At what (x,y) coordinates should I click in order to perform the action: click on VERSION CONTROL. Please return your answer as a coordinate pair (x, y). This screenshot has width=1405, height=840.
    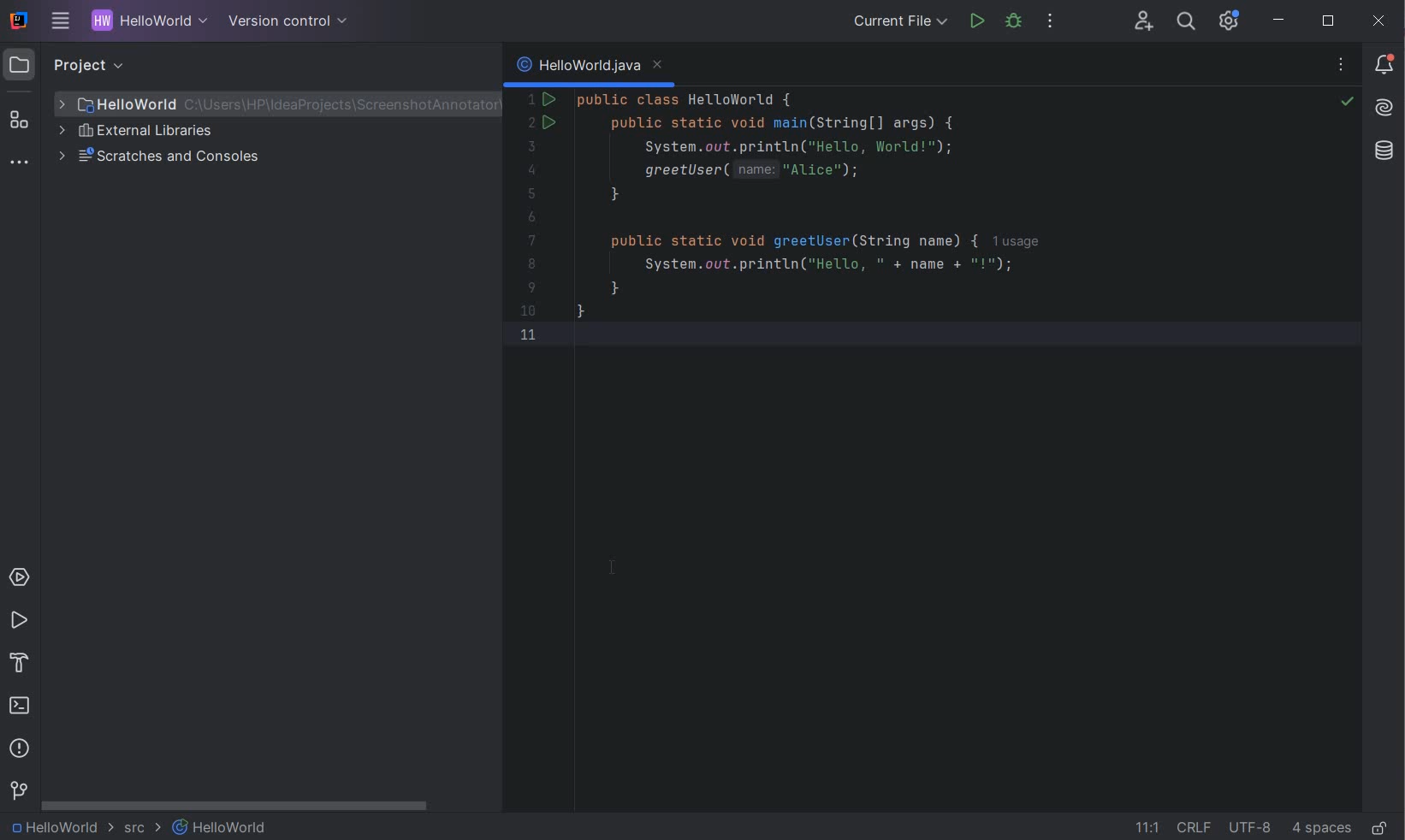
    Looking at the image, I should click on (284, 21).